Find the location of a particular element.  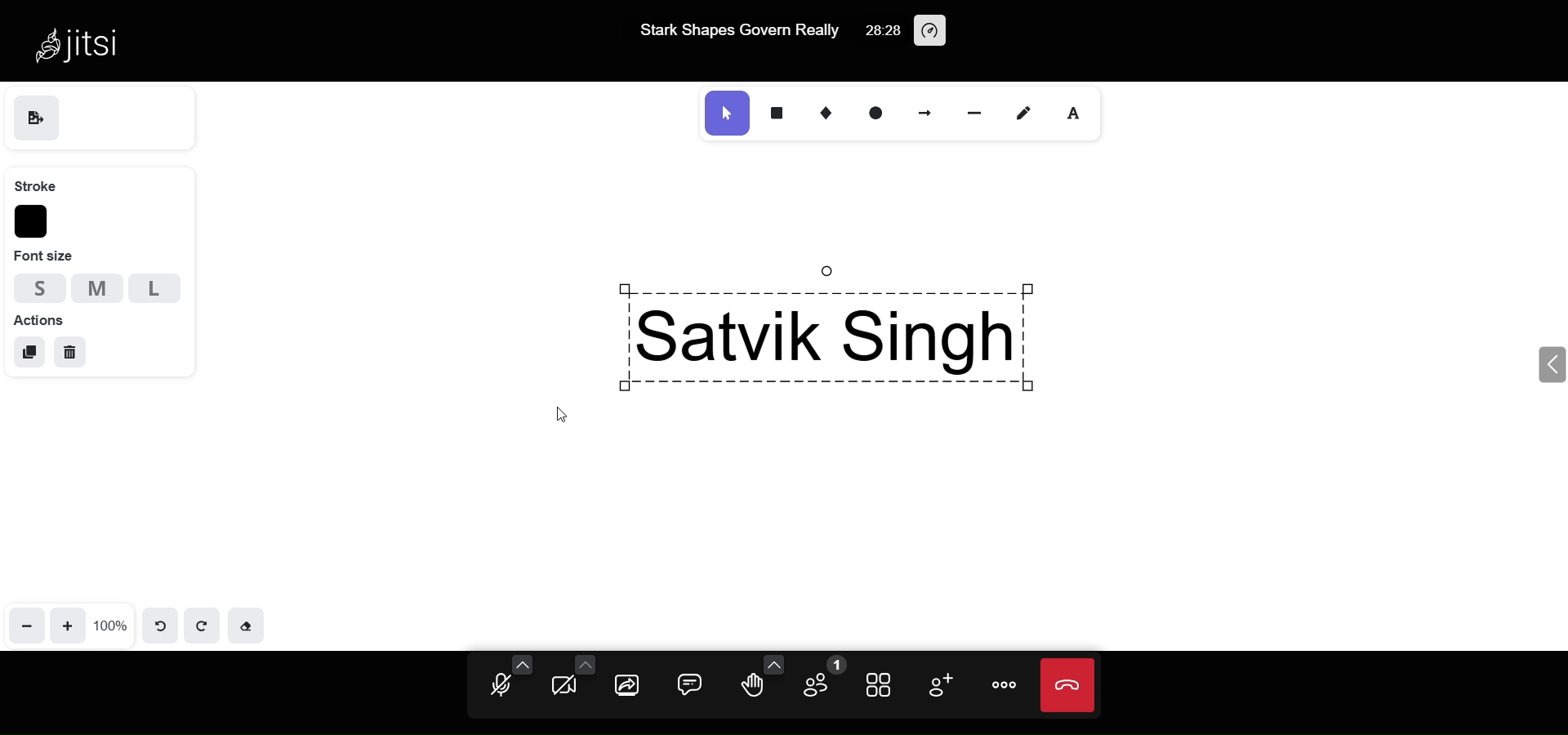

28:28 is located at coordinates (887, 27).